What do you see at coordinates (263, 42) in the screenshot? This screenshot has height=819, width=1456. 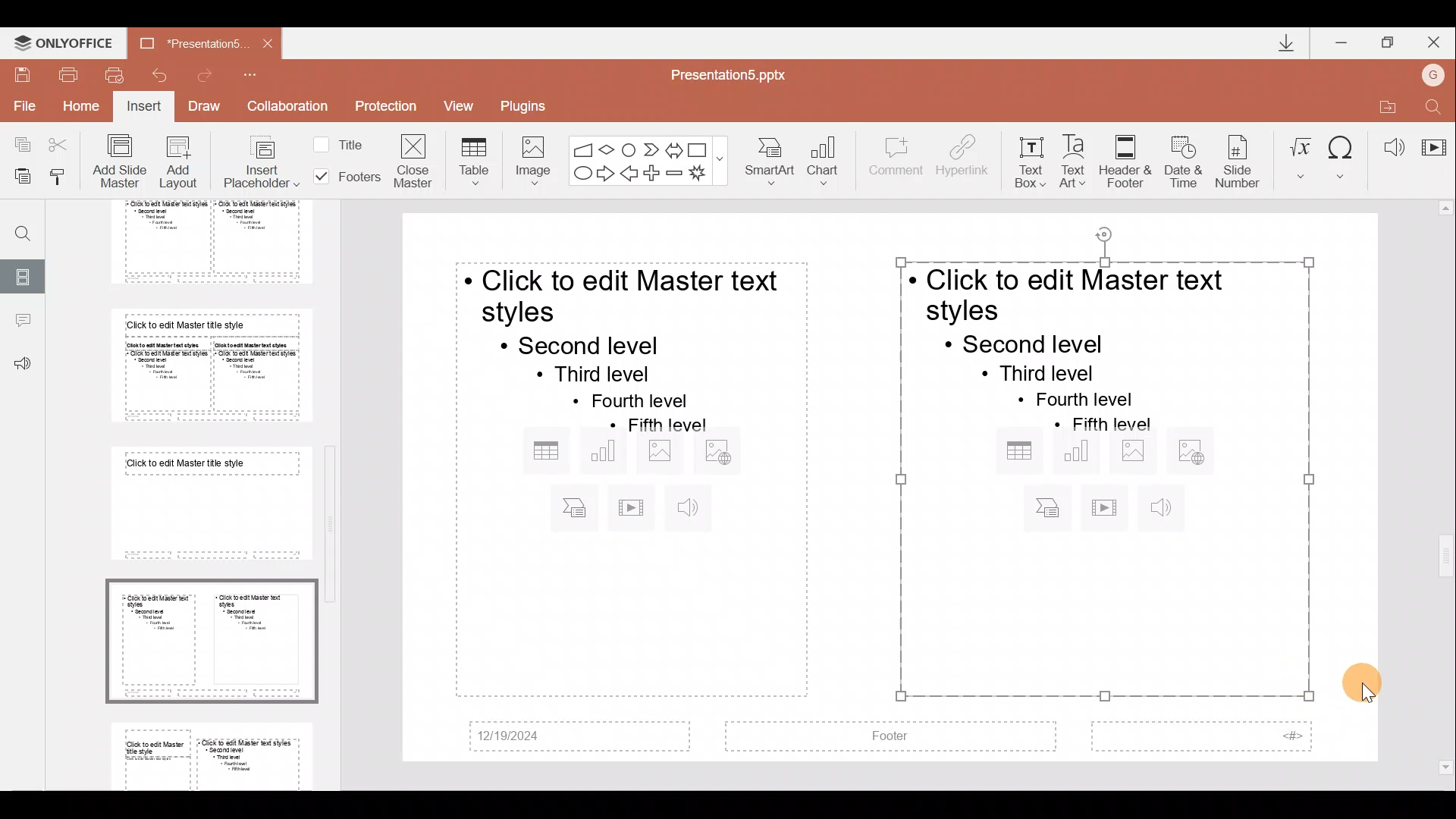 I see `Close document` at bounding box center [263, 42].